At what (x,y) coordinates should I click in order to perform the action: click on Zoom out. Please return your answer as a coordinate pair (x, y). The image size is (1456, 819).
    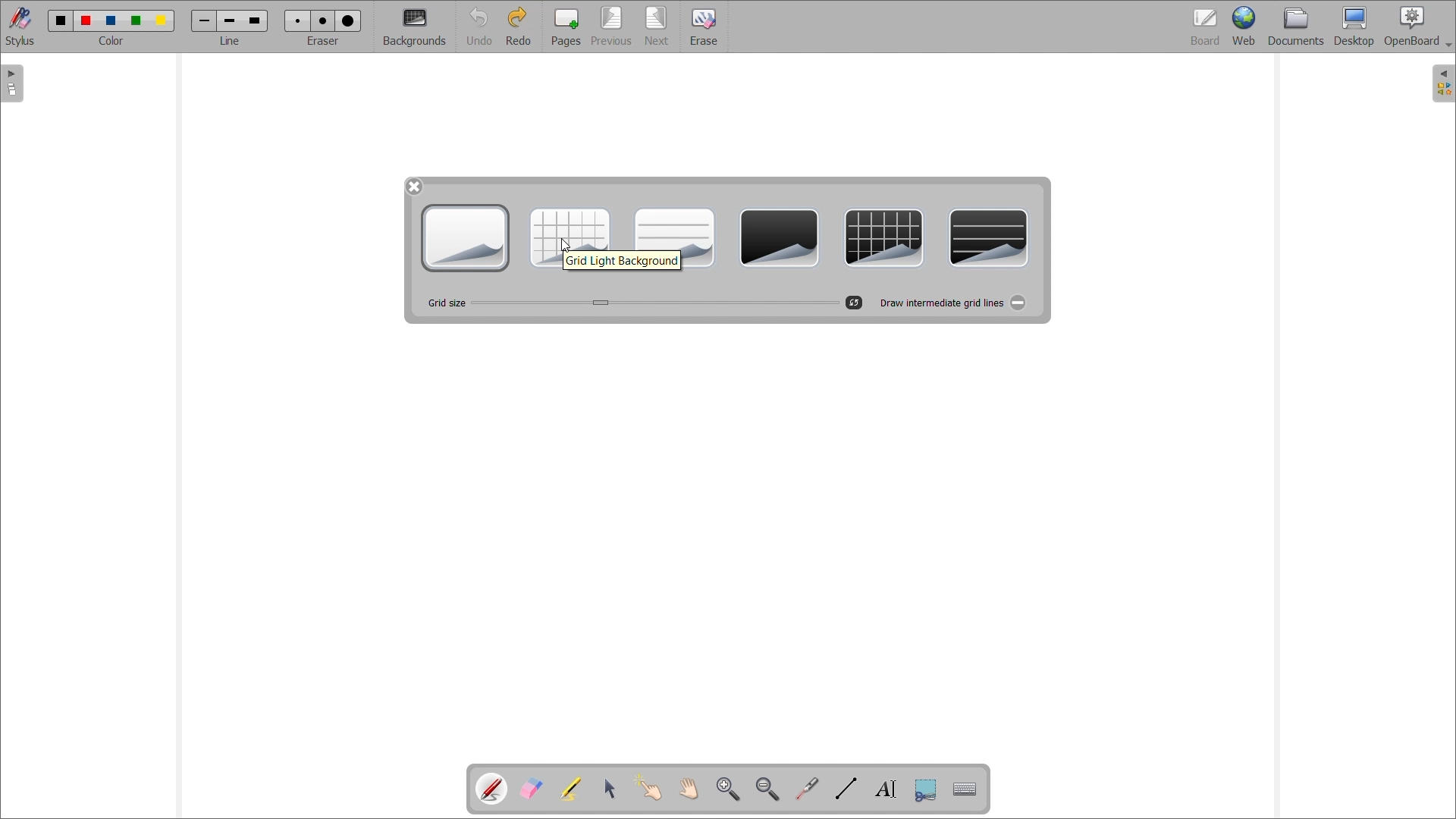
    Looking at the image, I should click on (767, 789).